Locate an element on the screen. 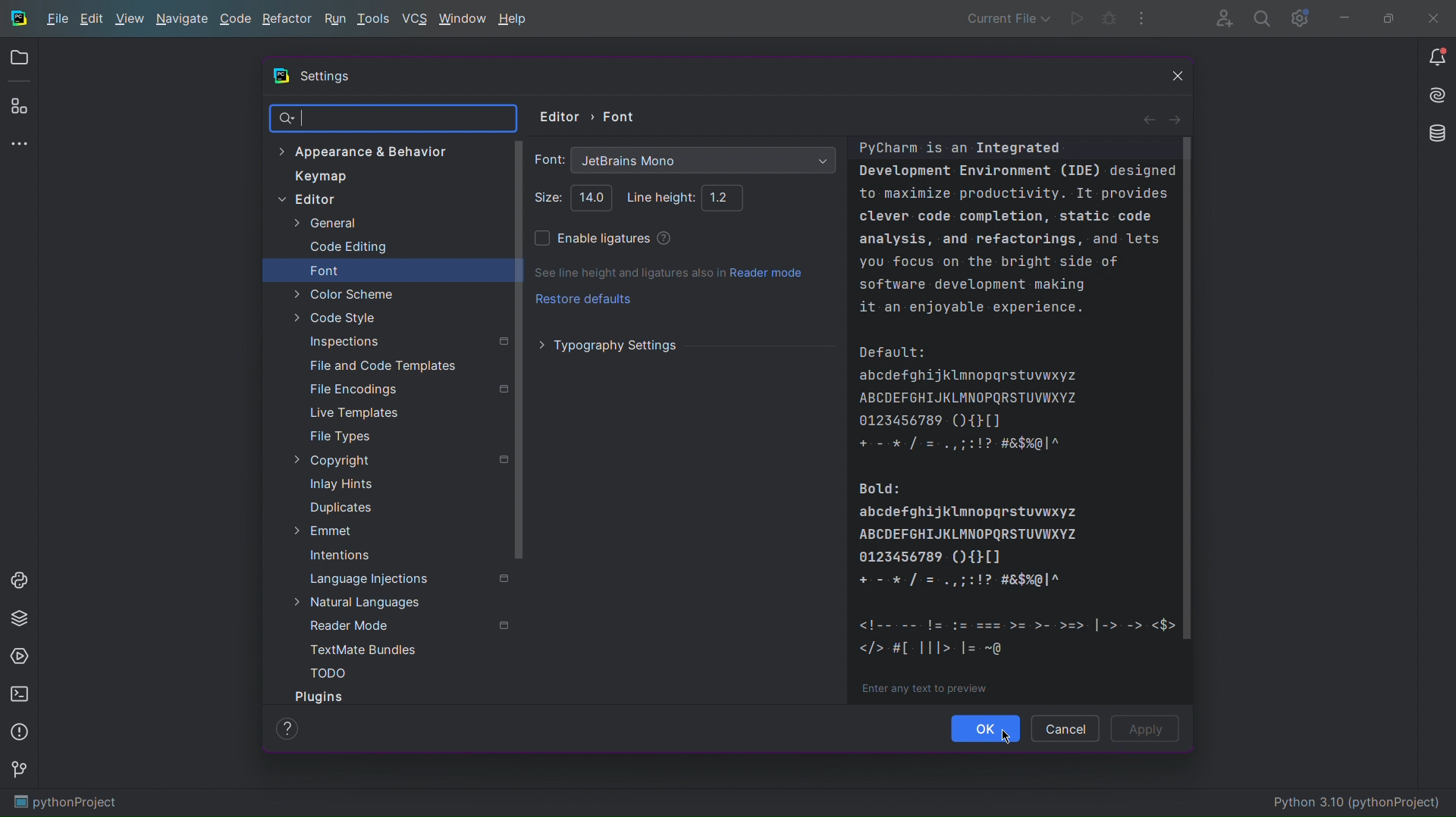 This screenshot has width=1456, height=817. Notifications is located at coordinates (1436, 58).